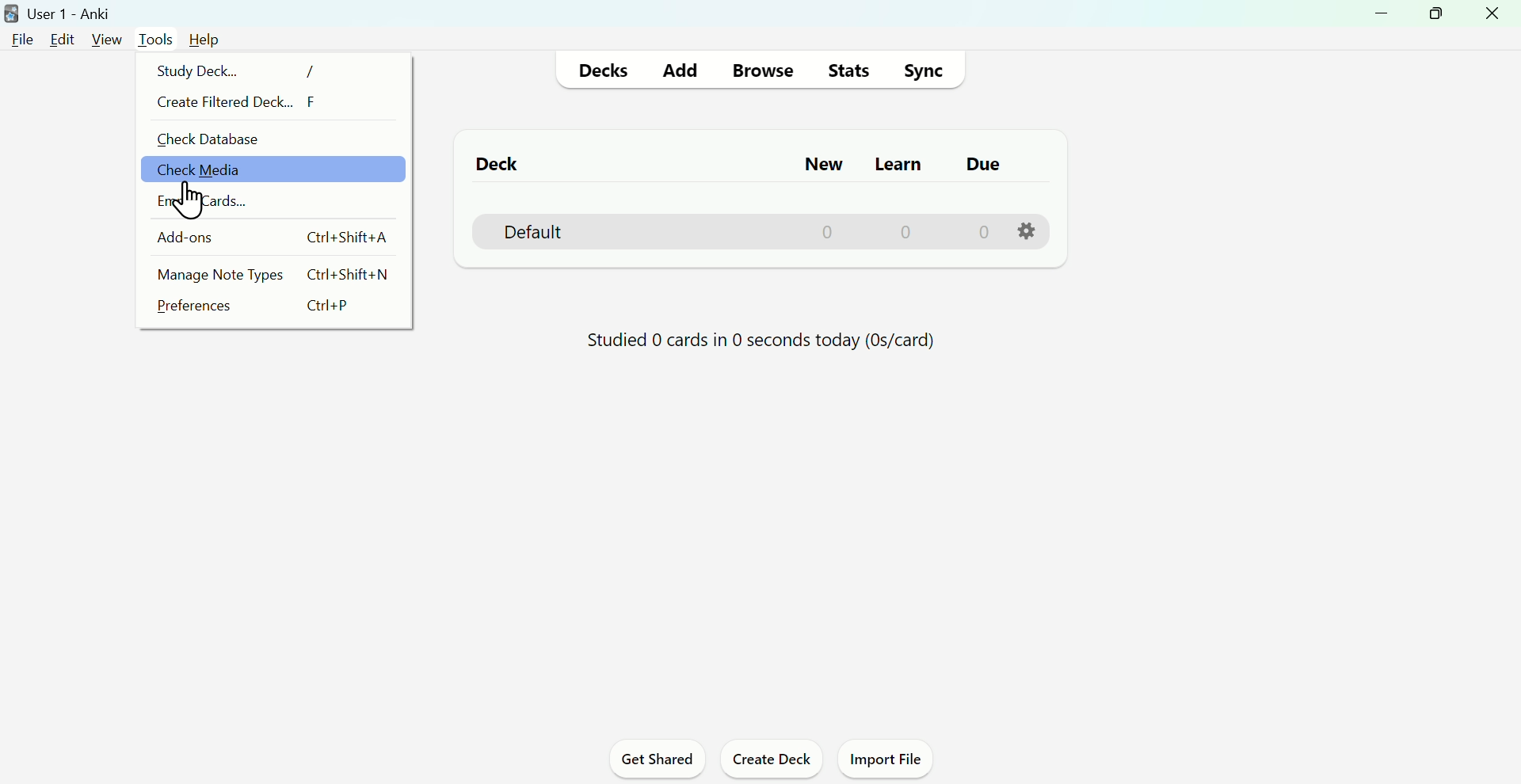 This screenshot has height=784, width=1521. Describe the element at coordinates (205, 139) in the screenshot. I see `check database` at that location.